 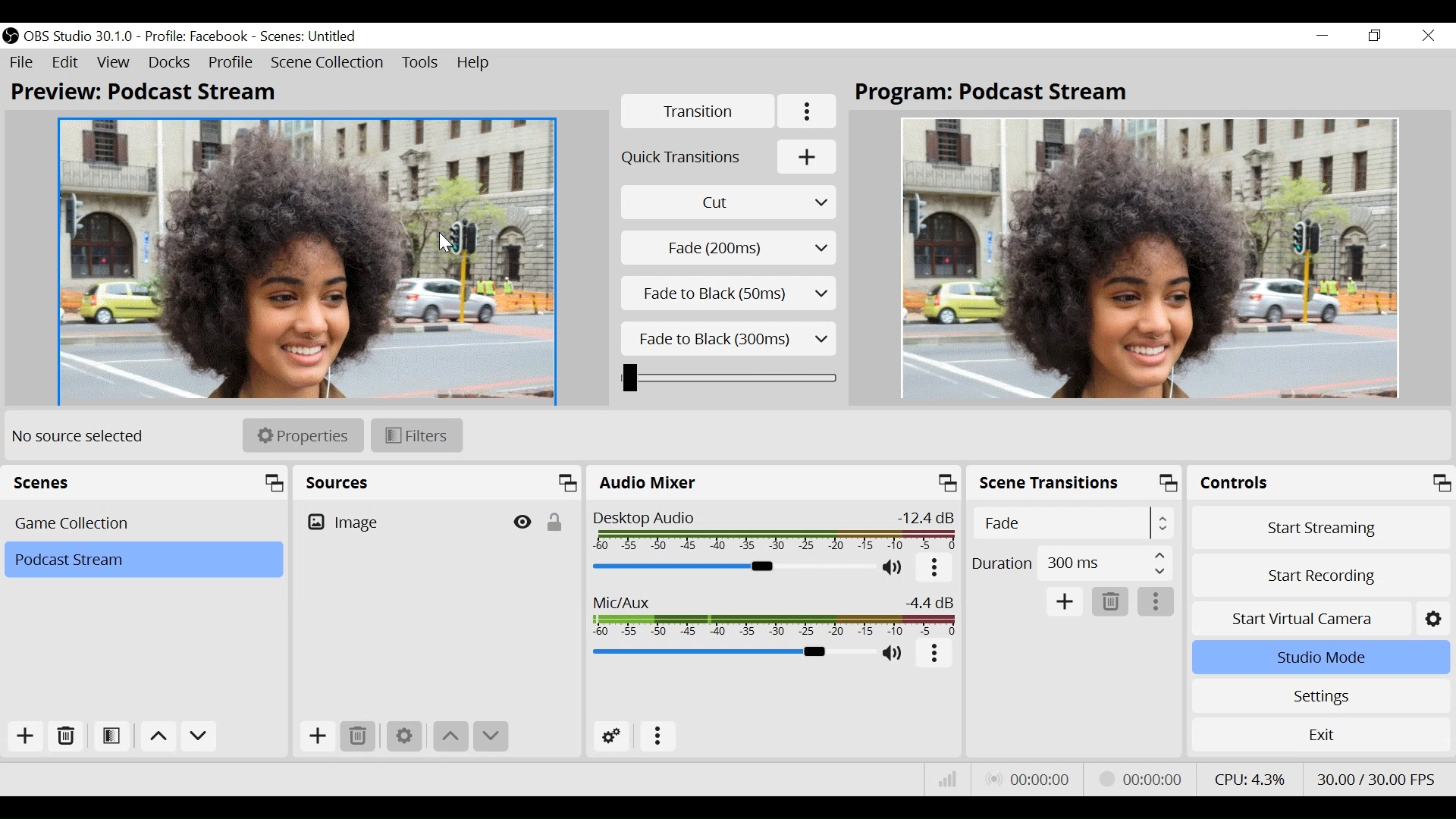 I want to click on Cursor, so click(x=447, y=244).